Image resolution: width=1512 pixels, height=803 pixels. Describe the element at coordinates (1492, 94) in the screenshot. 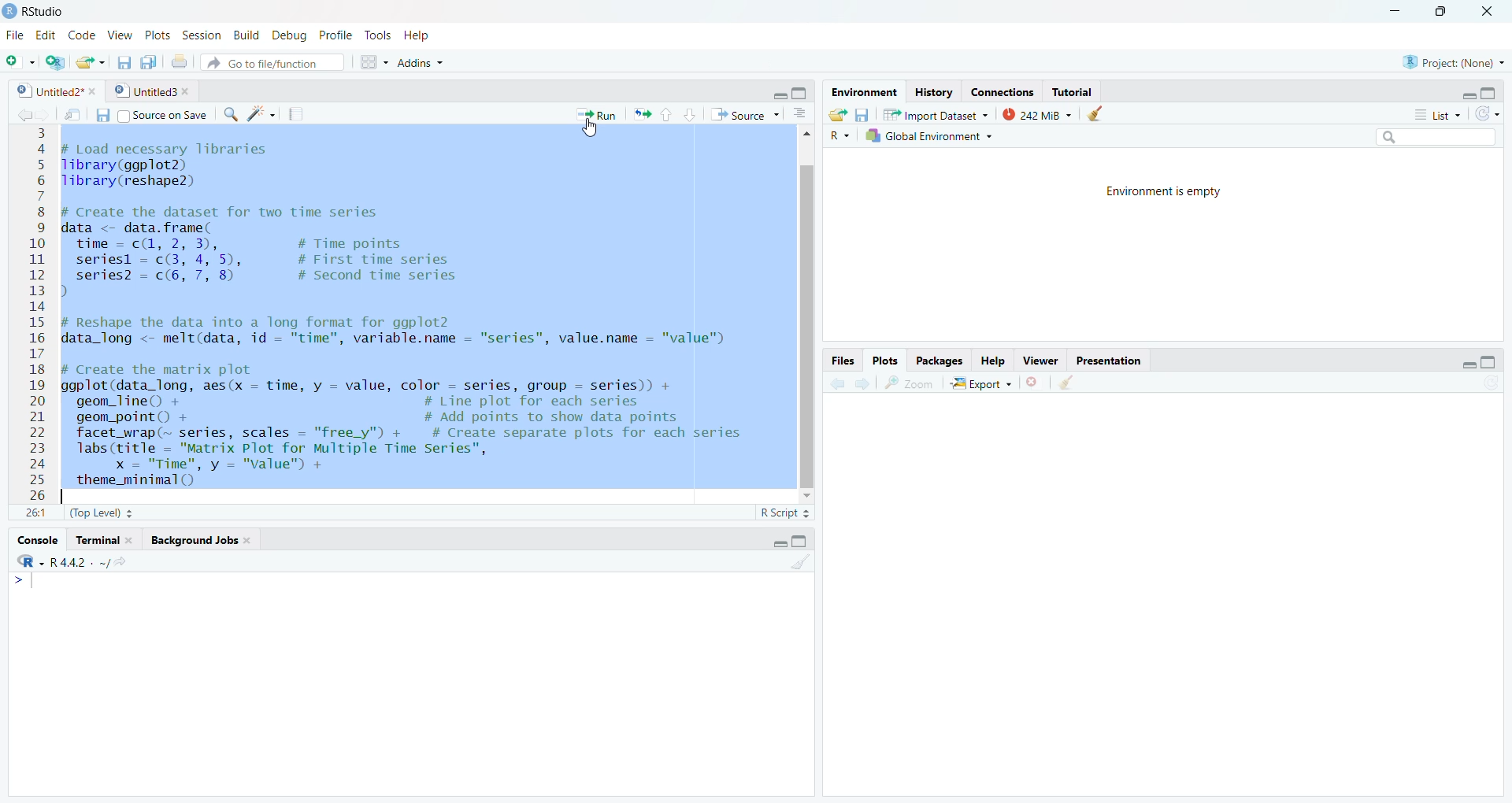

I see `Maximize` at that location.